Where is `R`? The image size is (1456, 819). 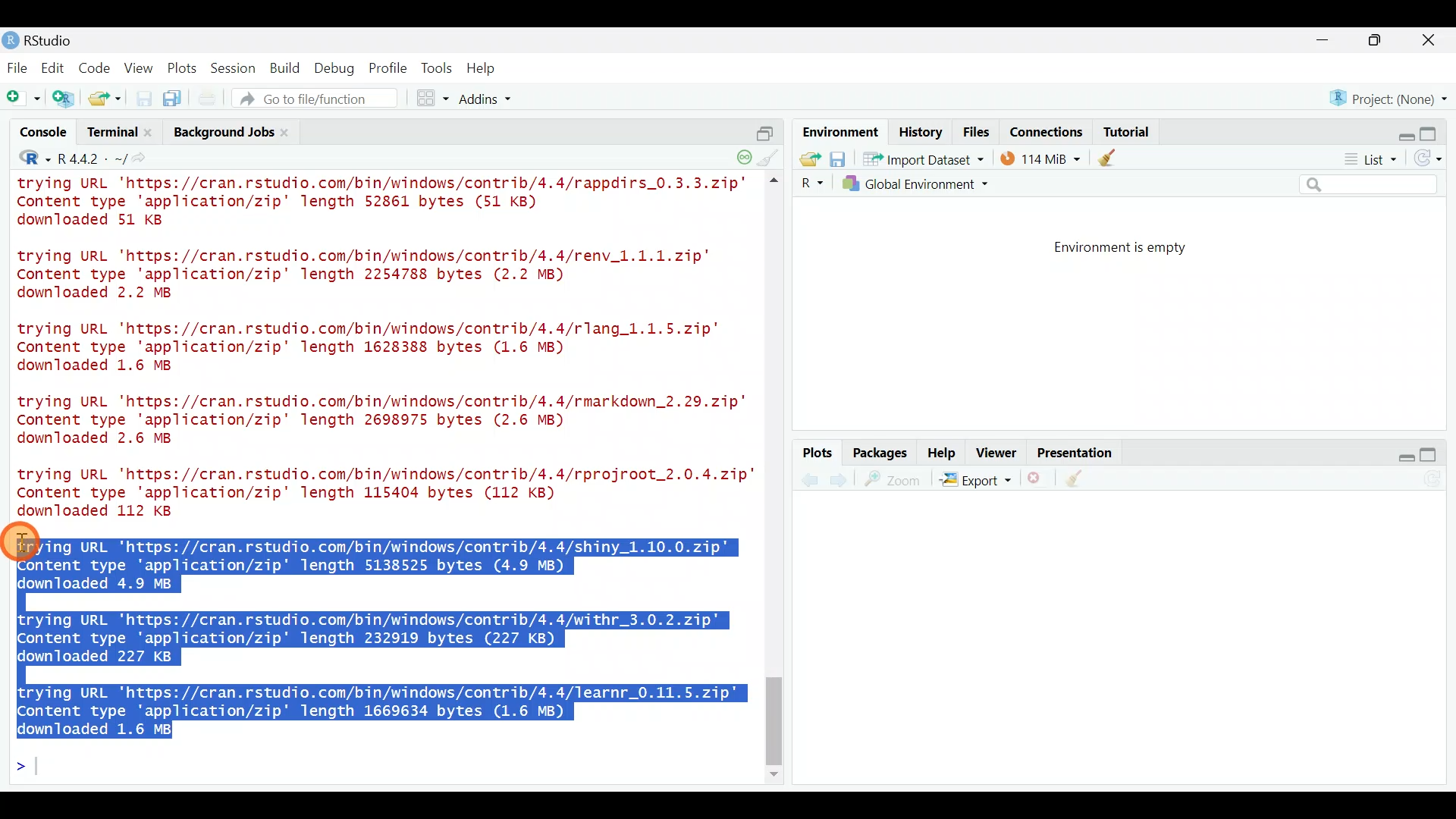
R is located at coordinates (810, 184).